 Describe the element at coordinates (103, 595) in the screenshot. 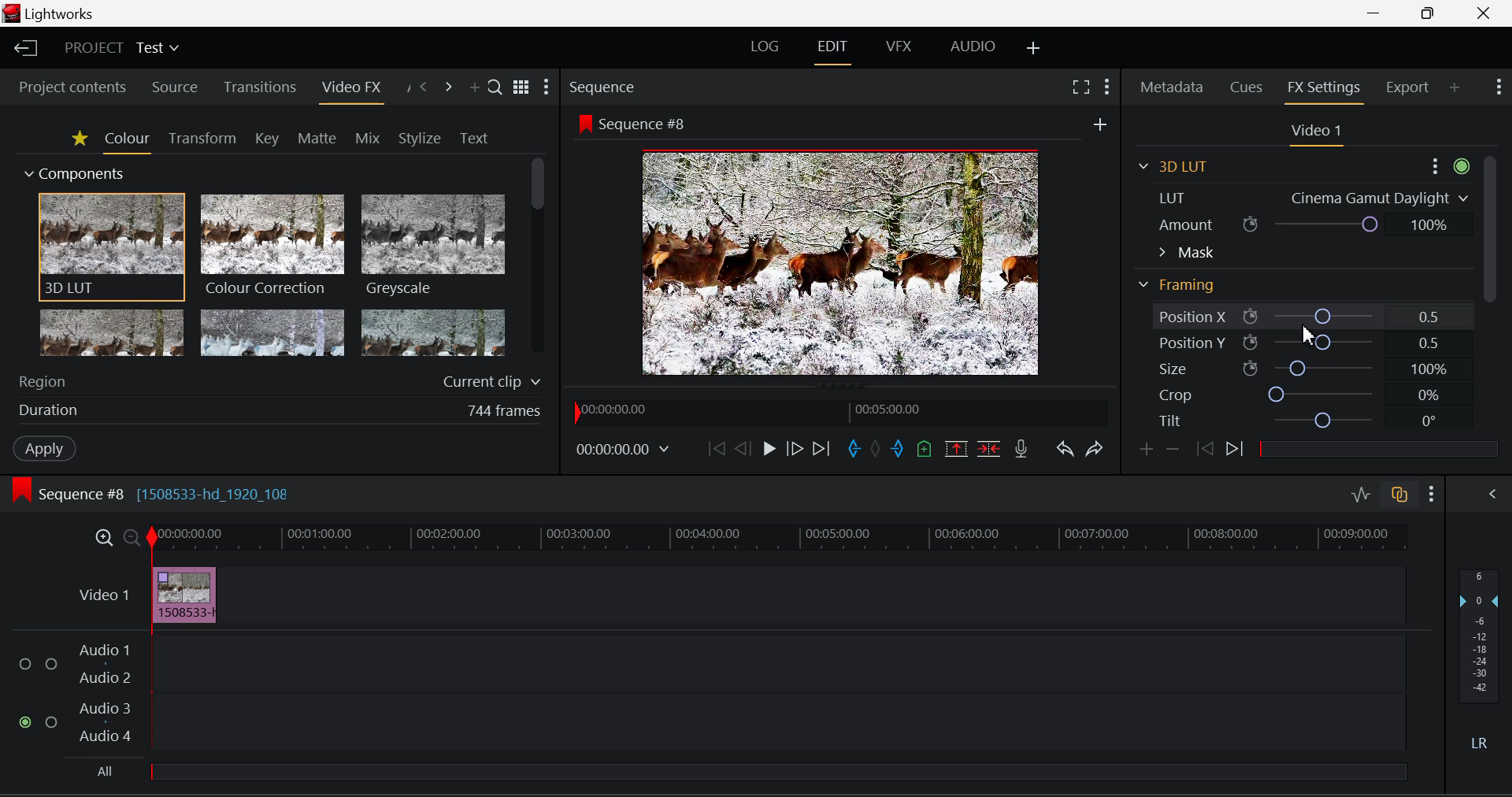

I see `Video Layer` at that location.